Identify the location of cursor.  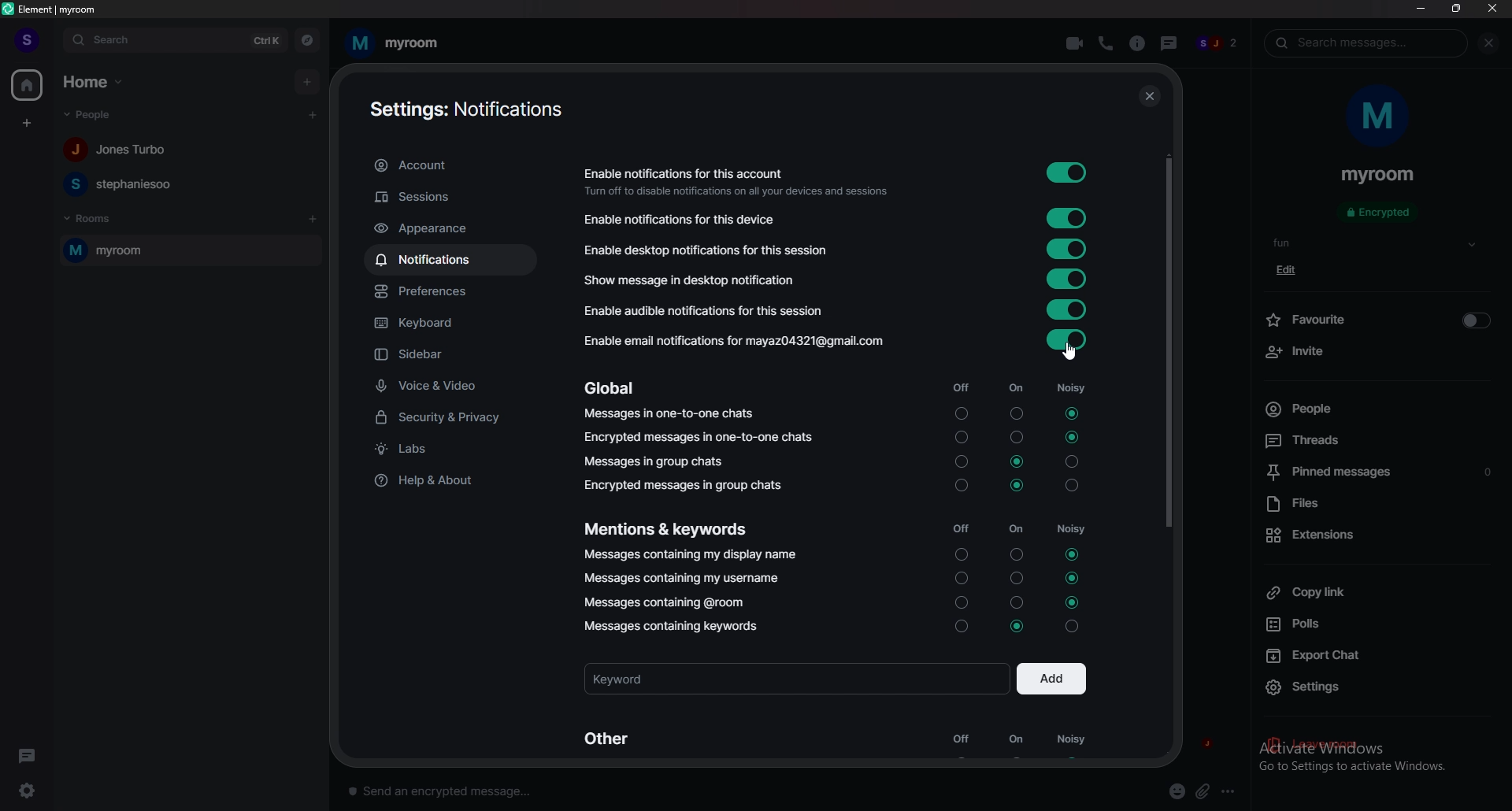
(1069, 354).